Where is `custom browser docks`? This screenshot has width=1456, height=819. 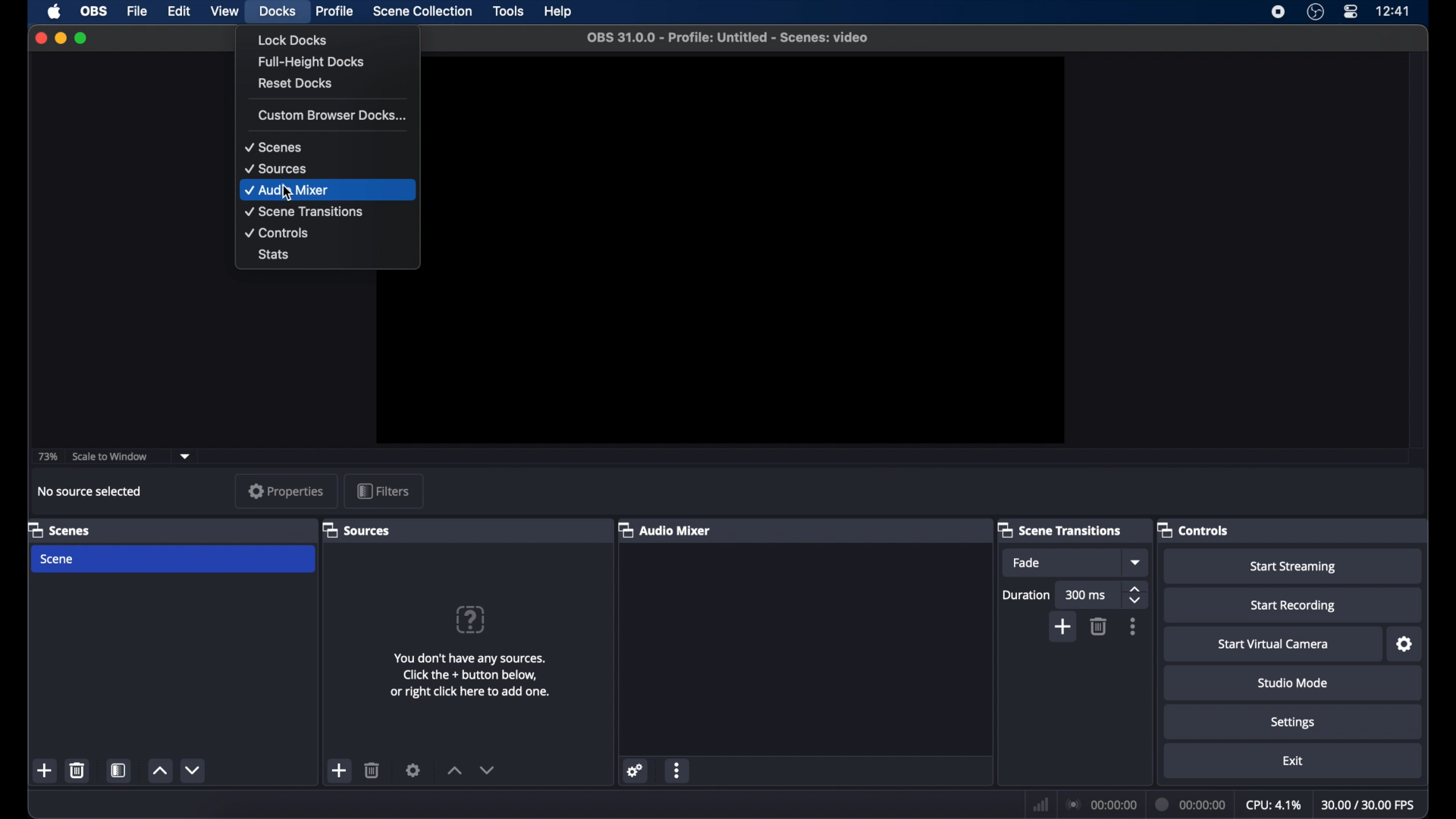
custom browser docks is located at coordinates (333, 115).